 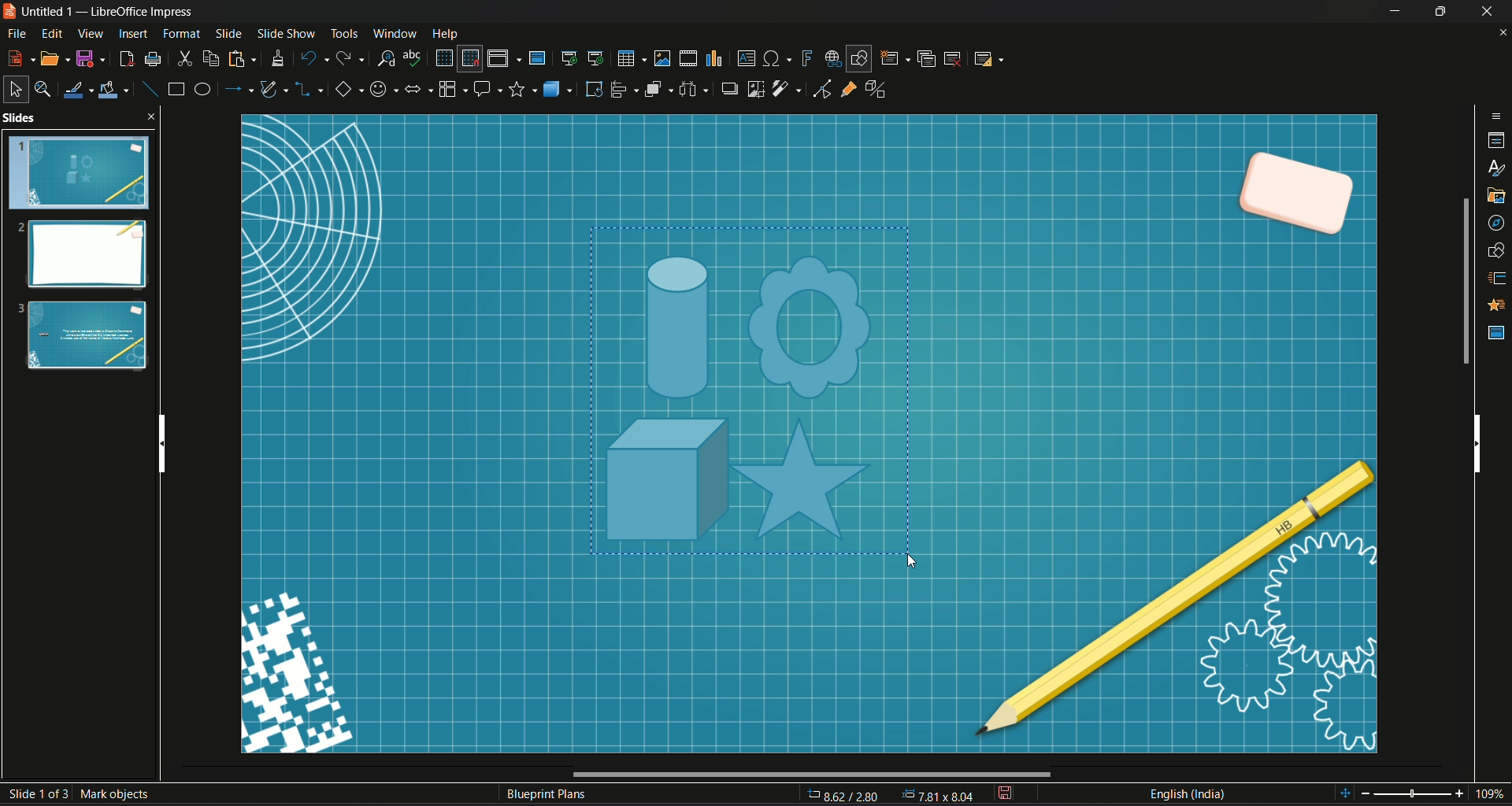 I want to click on File, so click(x=17, y=35).